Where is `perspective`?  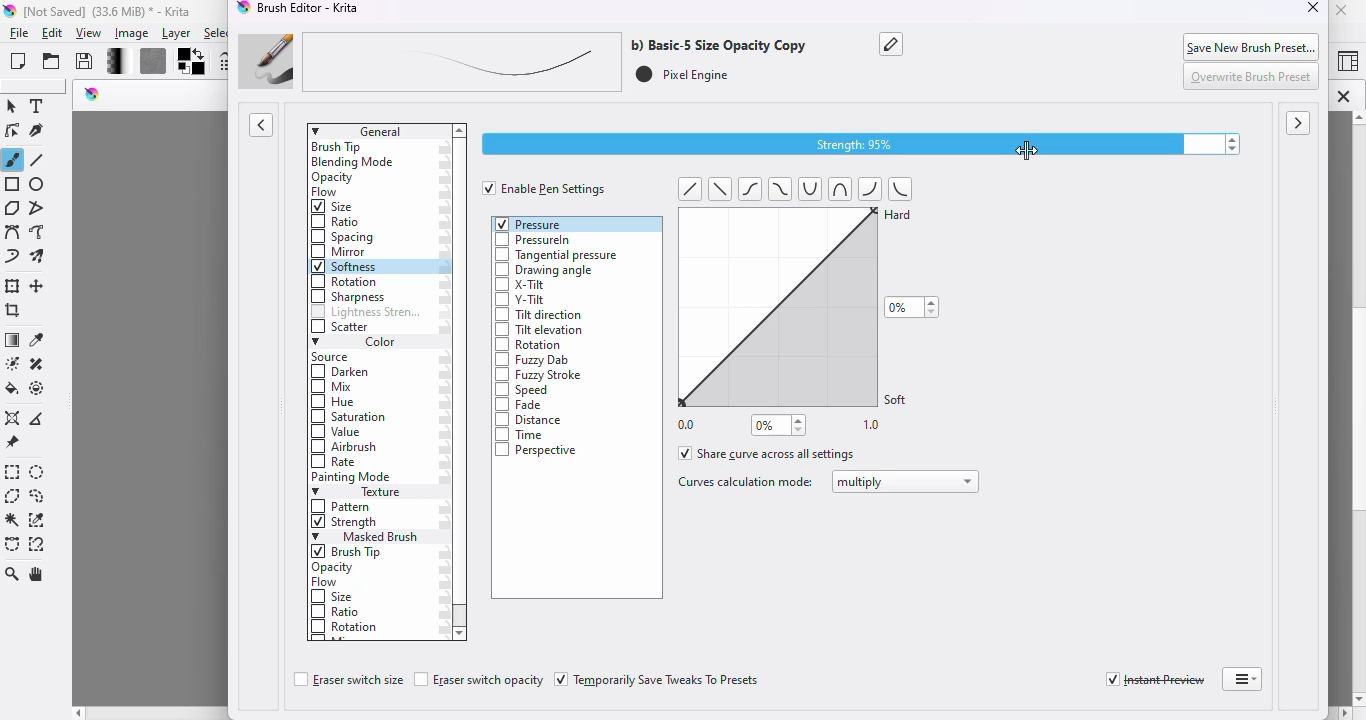
perspective is located at coordinates (537, 450).